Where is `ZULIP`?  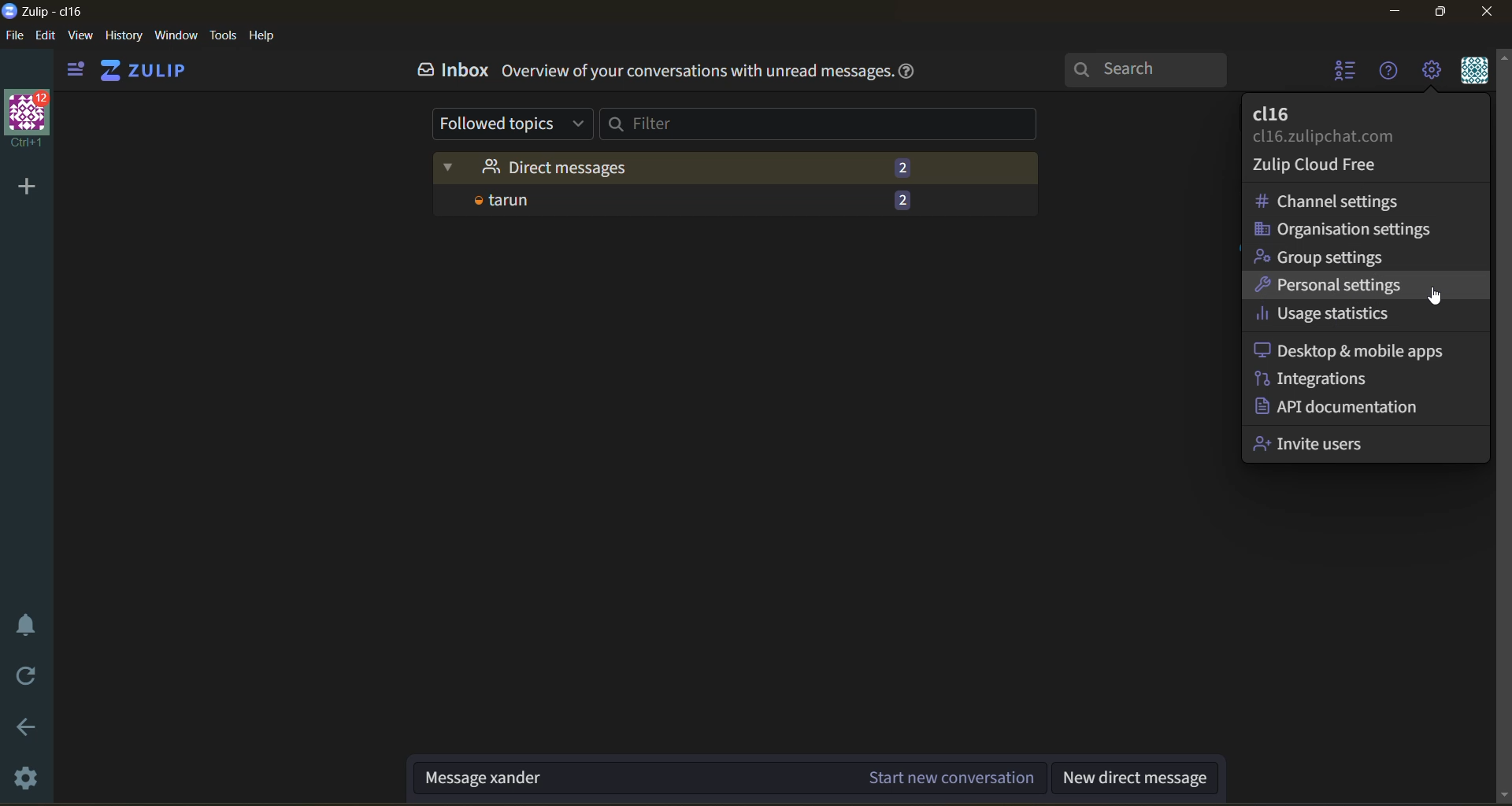
ZULIP is located at coordinates (150, 71).